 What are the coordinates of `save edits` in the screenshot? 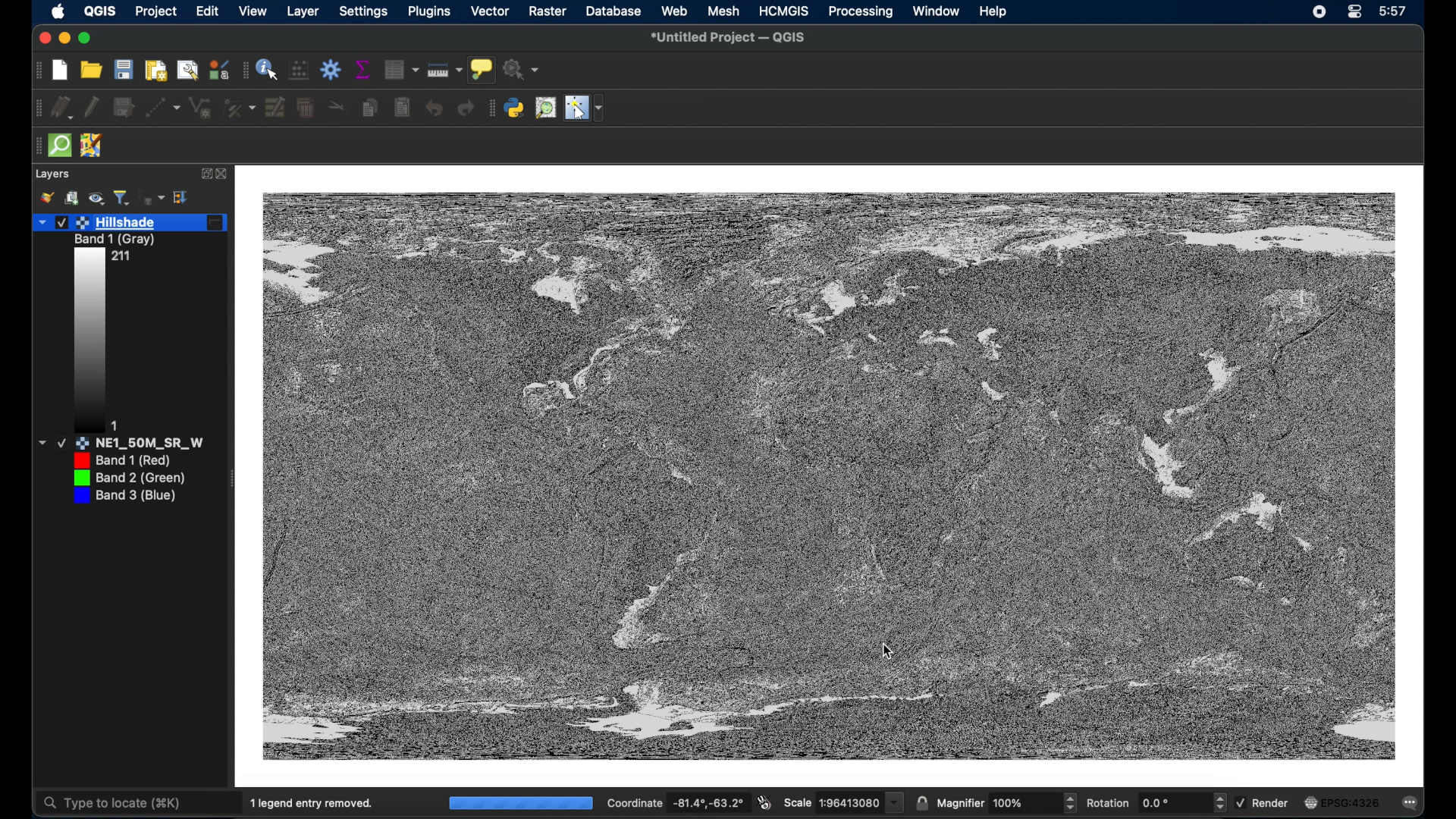 It's located at (124, 108).